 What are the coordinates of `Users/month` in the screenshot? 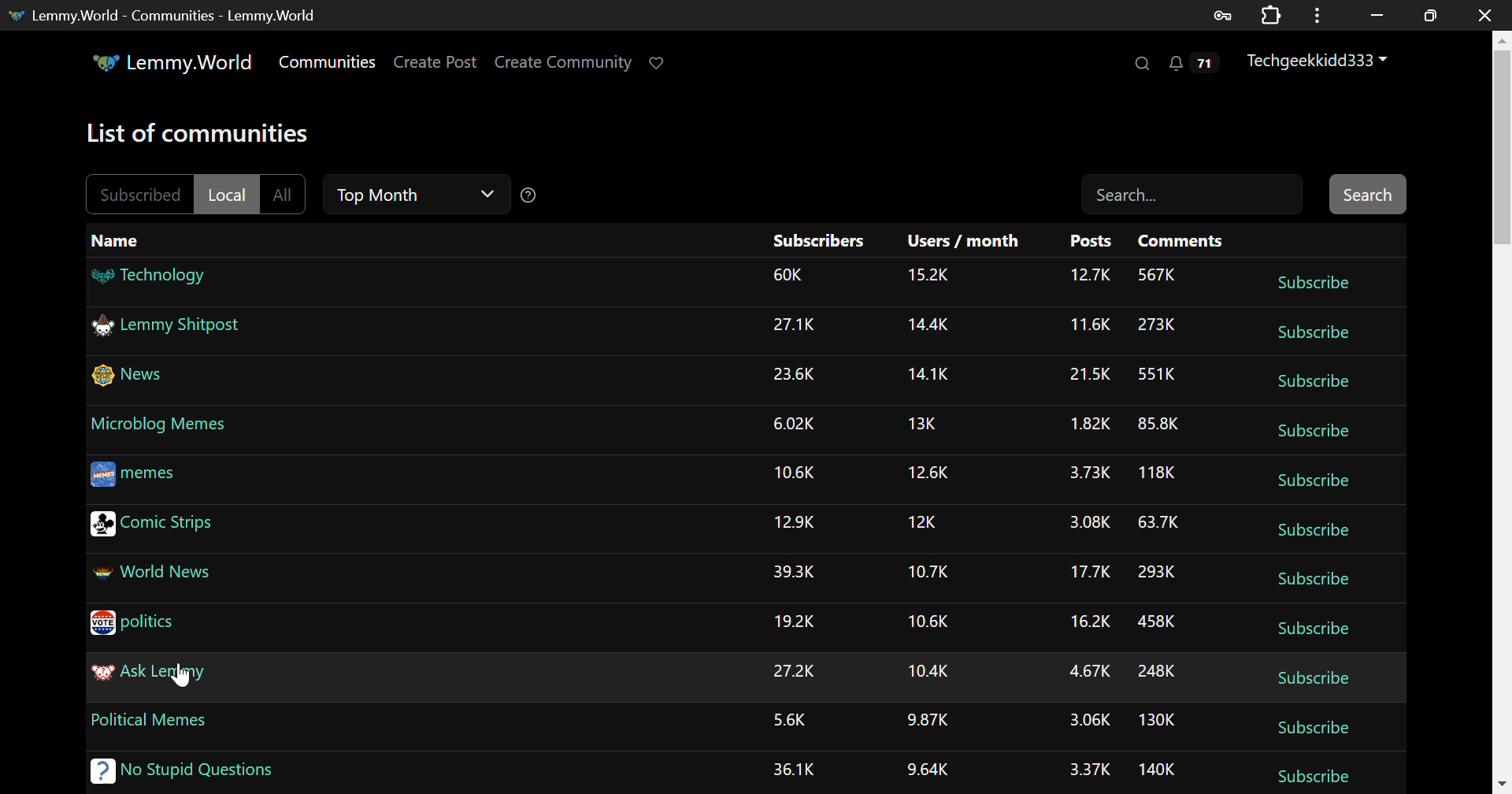 It's located at (968, 238).